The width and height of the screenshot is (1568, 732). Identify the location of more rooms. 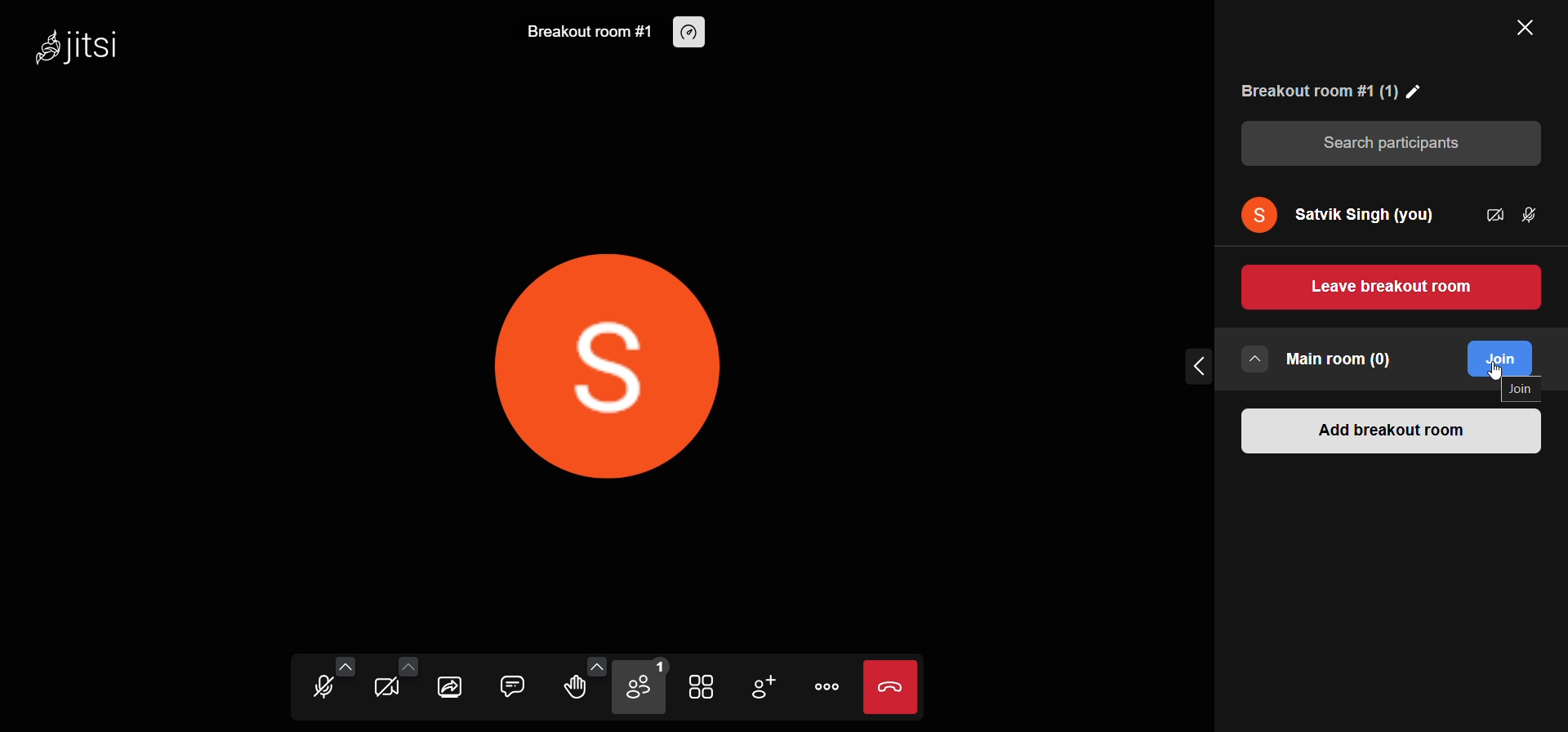
(1256, 361).